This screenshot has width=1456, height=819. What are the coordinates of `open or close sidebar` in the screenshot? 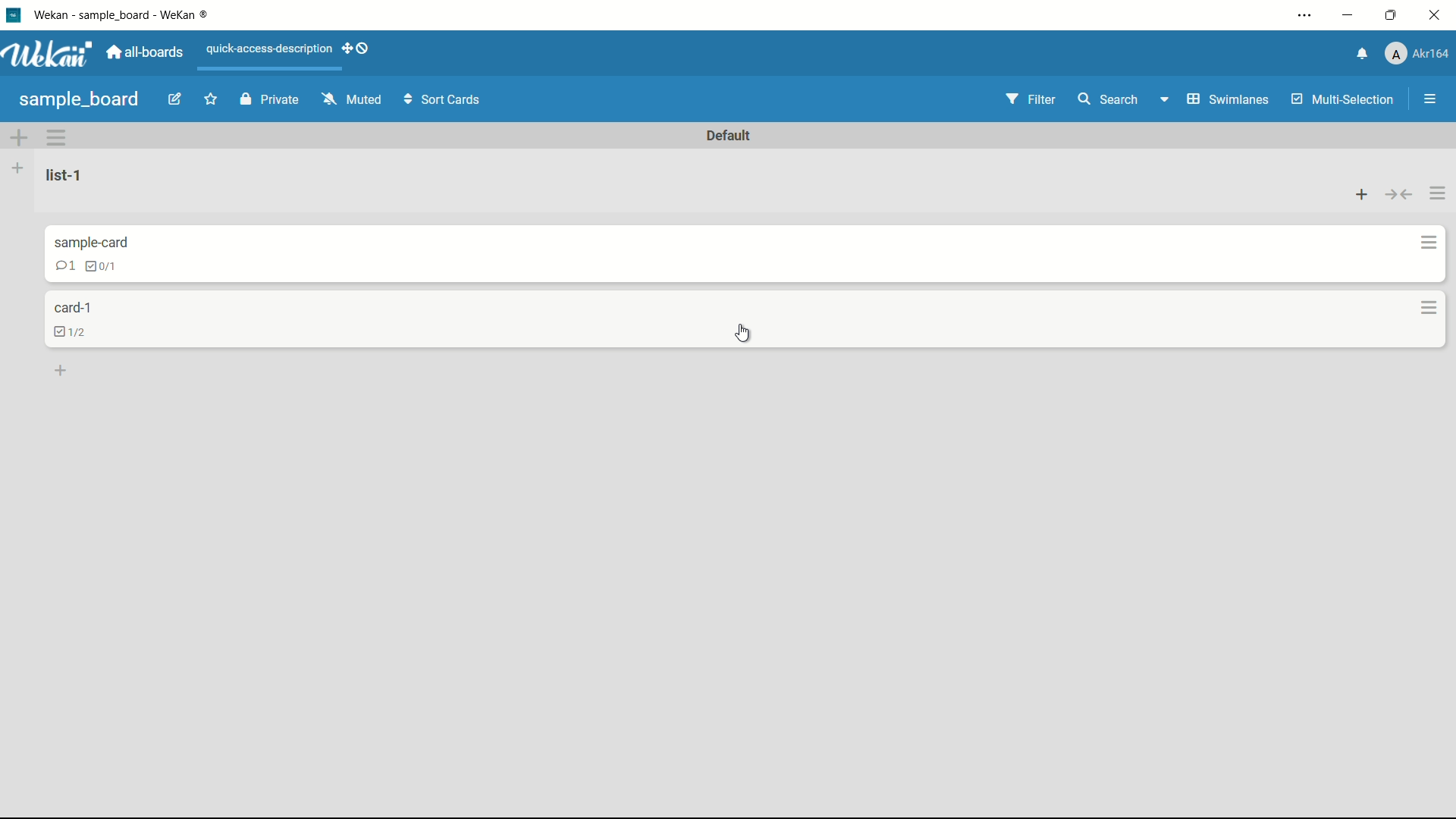 It's located at (1426, 99).